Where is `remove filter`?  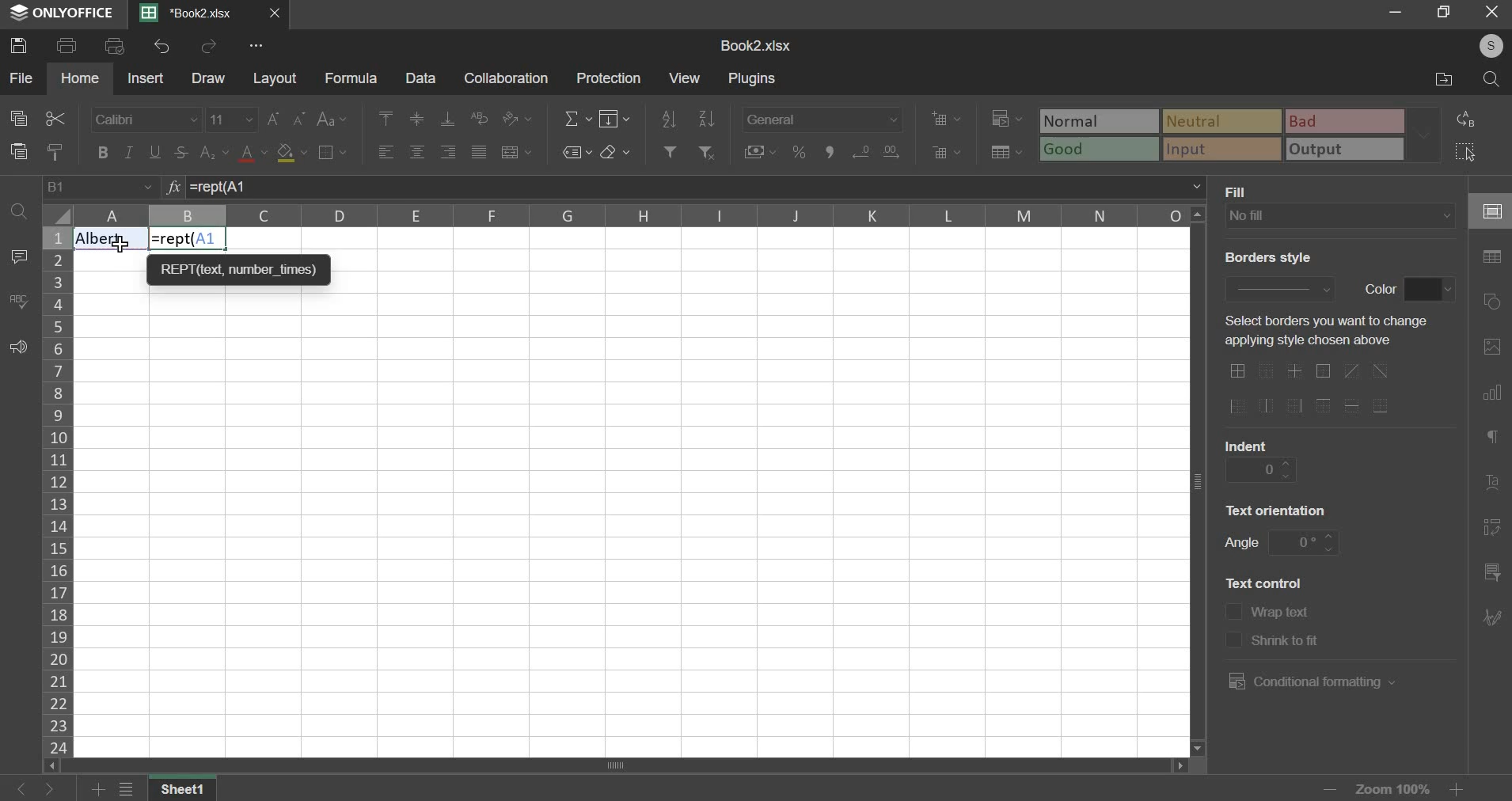
remove filter is located at coordinates (708, 152).